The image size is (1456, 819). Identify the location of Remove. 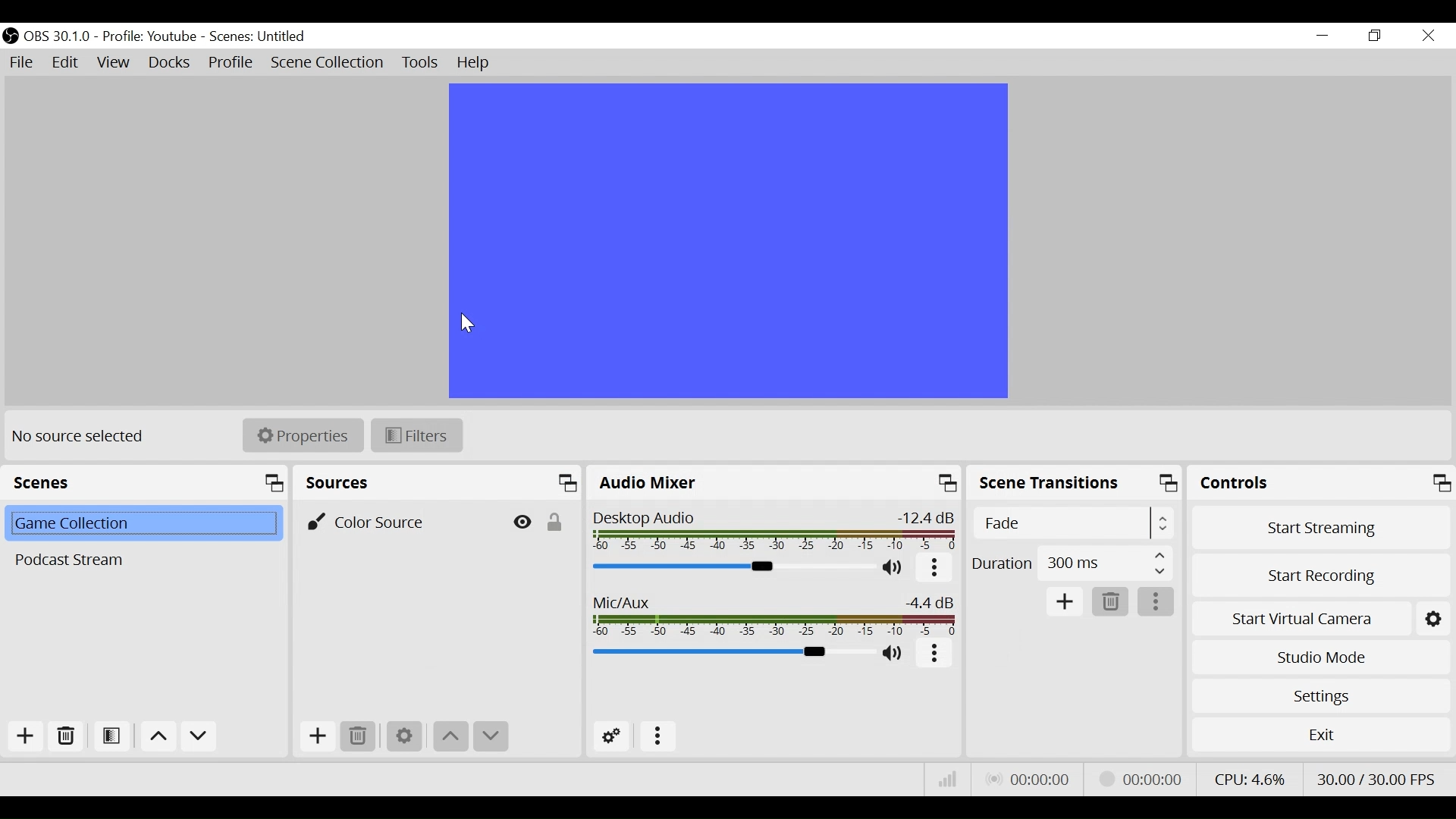
(360, 737).